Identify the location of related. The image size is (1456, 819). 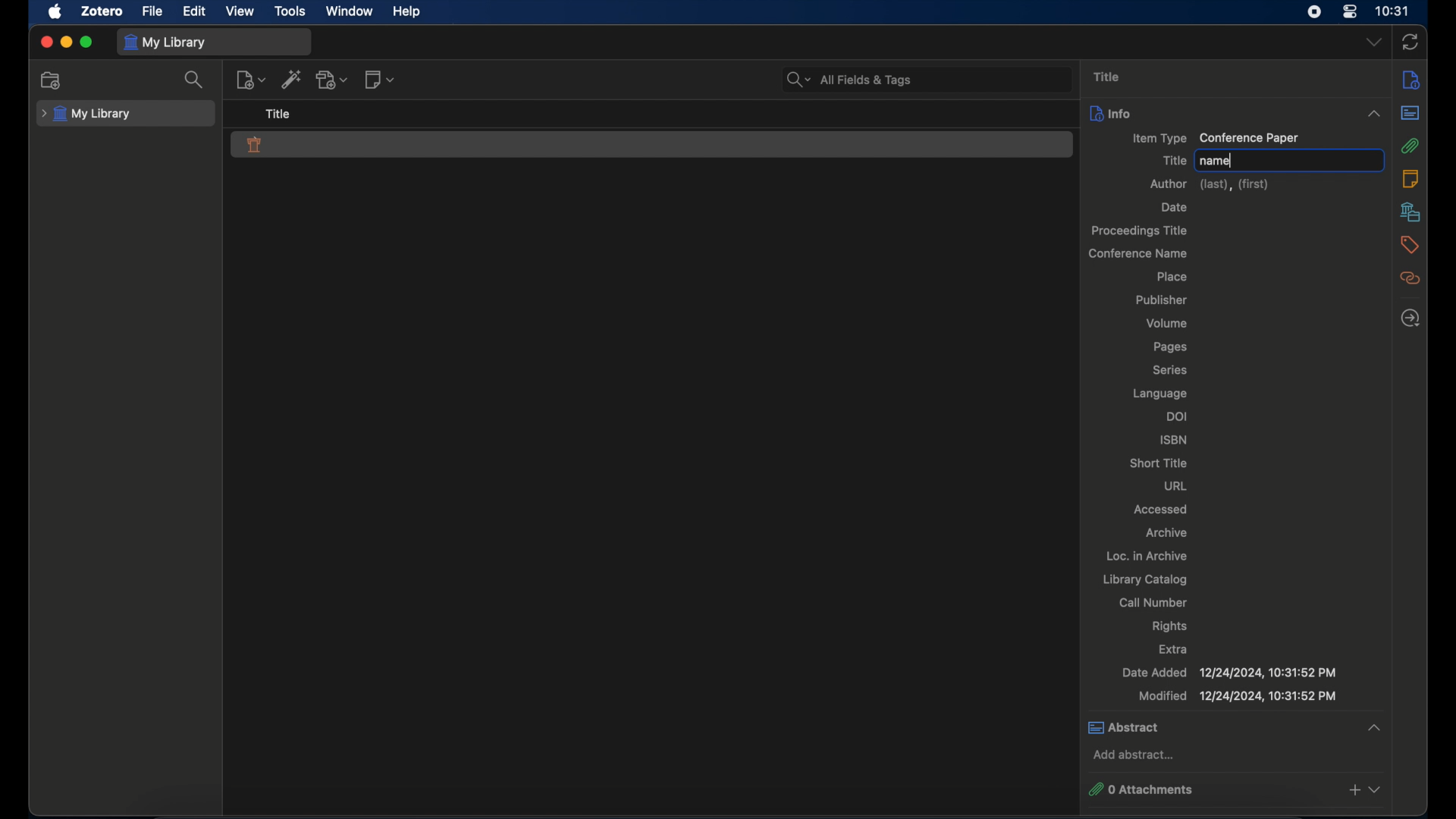
(1410, 278).